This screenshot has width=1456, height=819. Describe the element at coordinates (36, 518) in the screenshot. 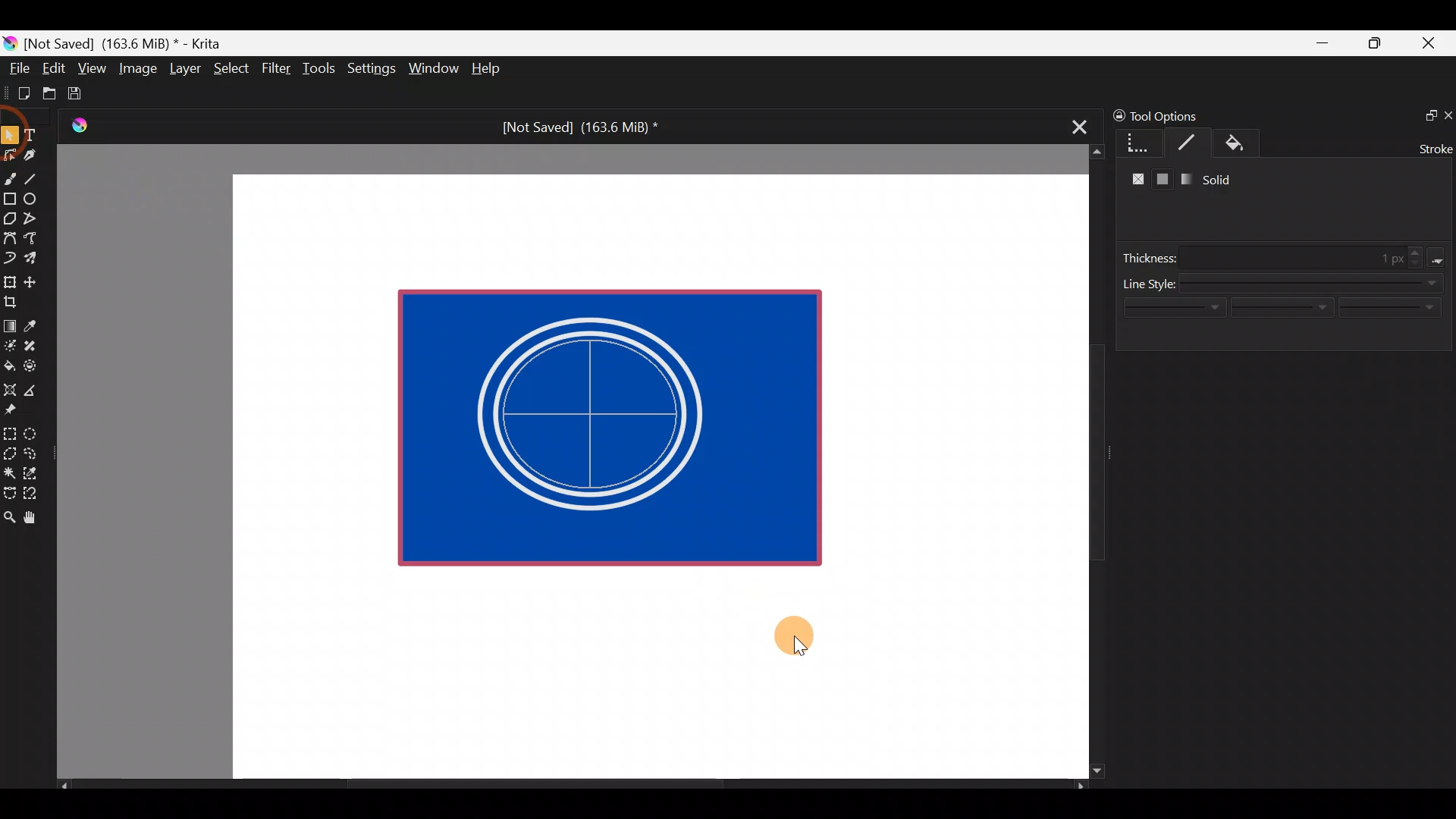

I see `Pan tool` at that location.